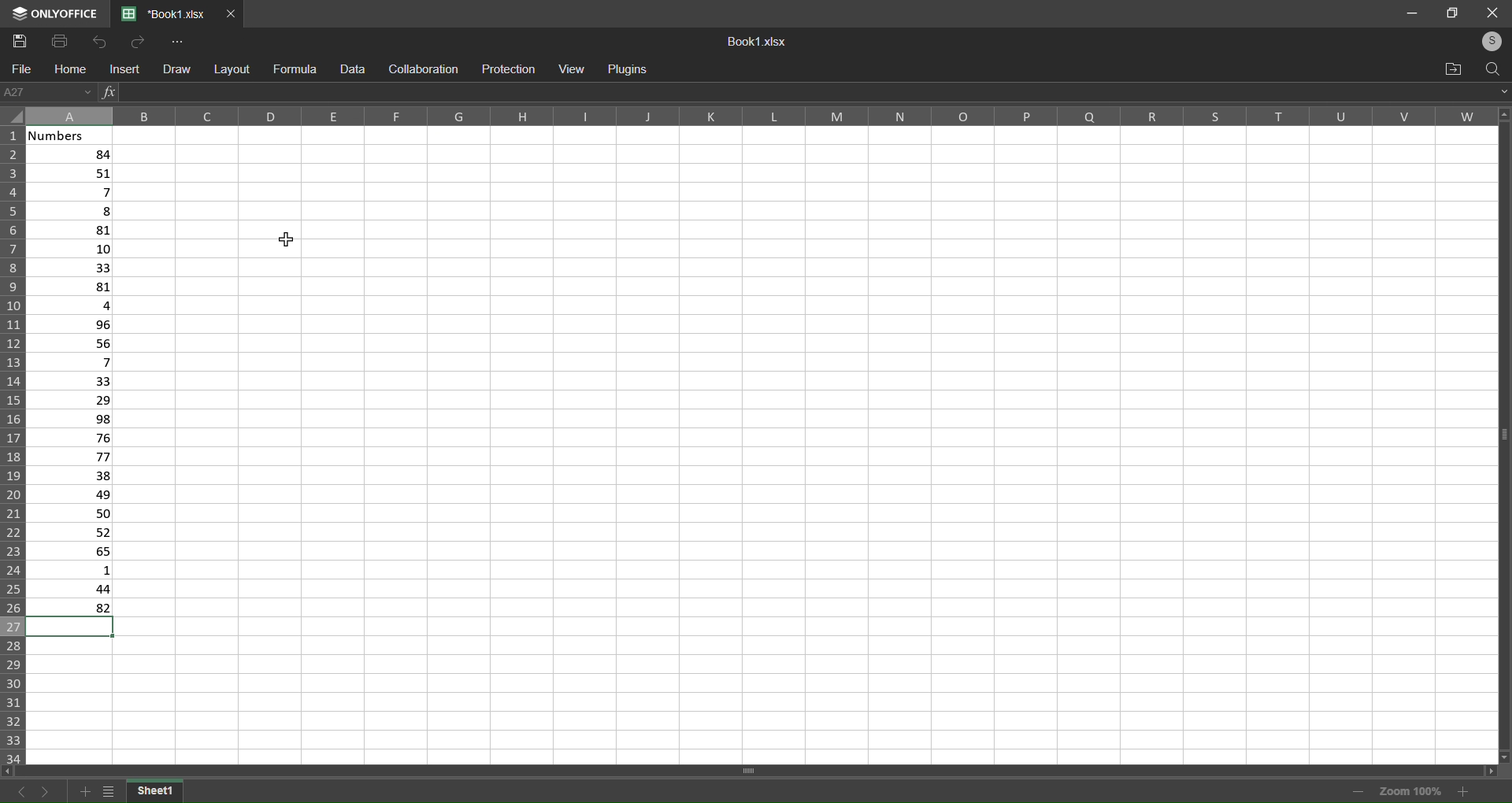  What do you see at coordinates (75, 383) in the screenshot?
I see `Data` at bounding box center [75, 383].